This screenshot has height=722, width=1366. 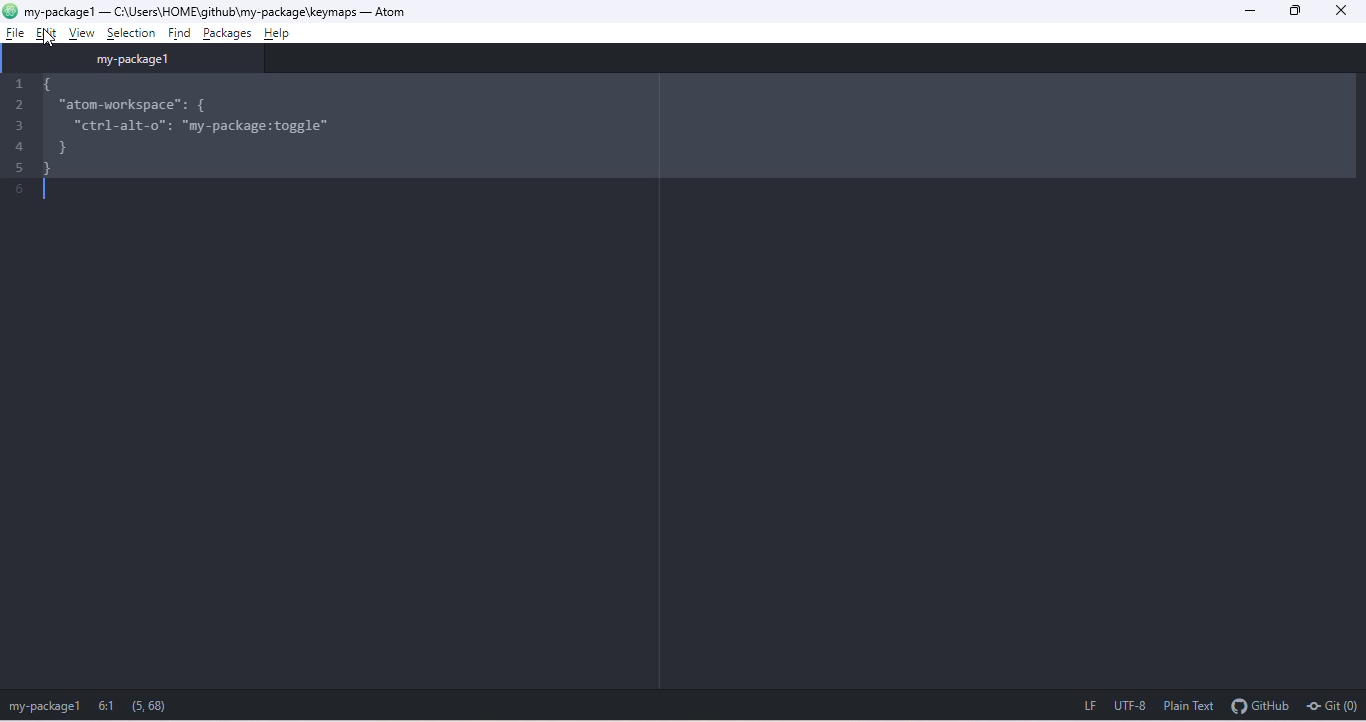 What do you see at coordinates (139, 59) in the screenshot?
I see `my-package1 tab` at bounding box center [139, 59].